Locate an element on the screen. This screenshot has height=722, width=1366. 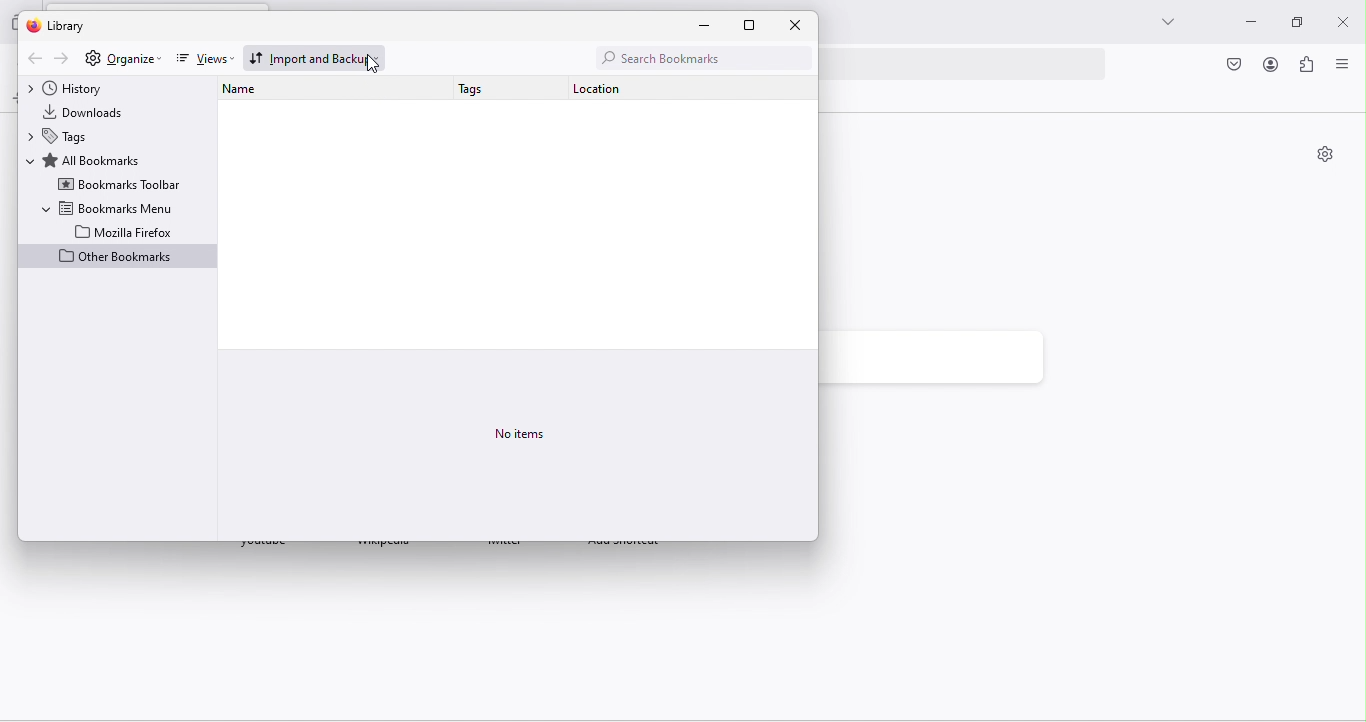
bookmarks toolbar is located at coordinates (119, 185).